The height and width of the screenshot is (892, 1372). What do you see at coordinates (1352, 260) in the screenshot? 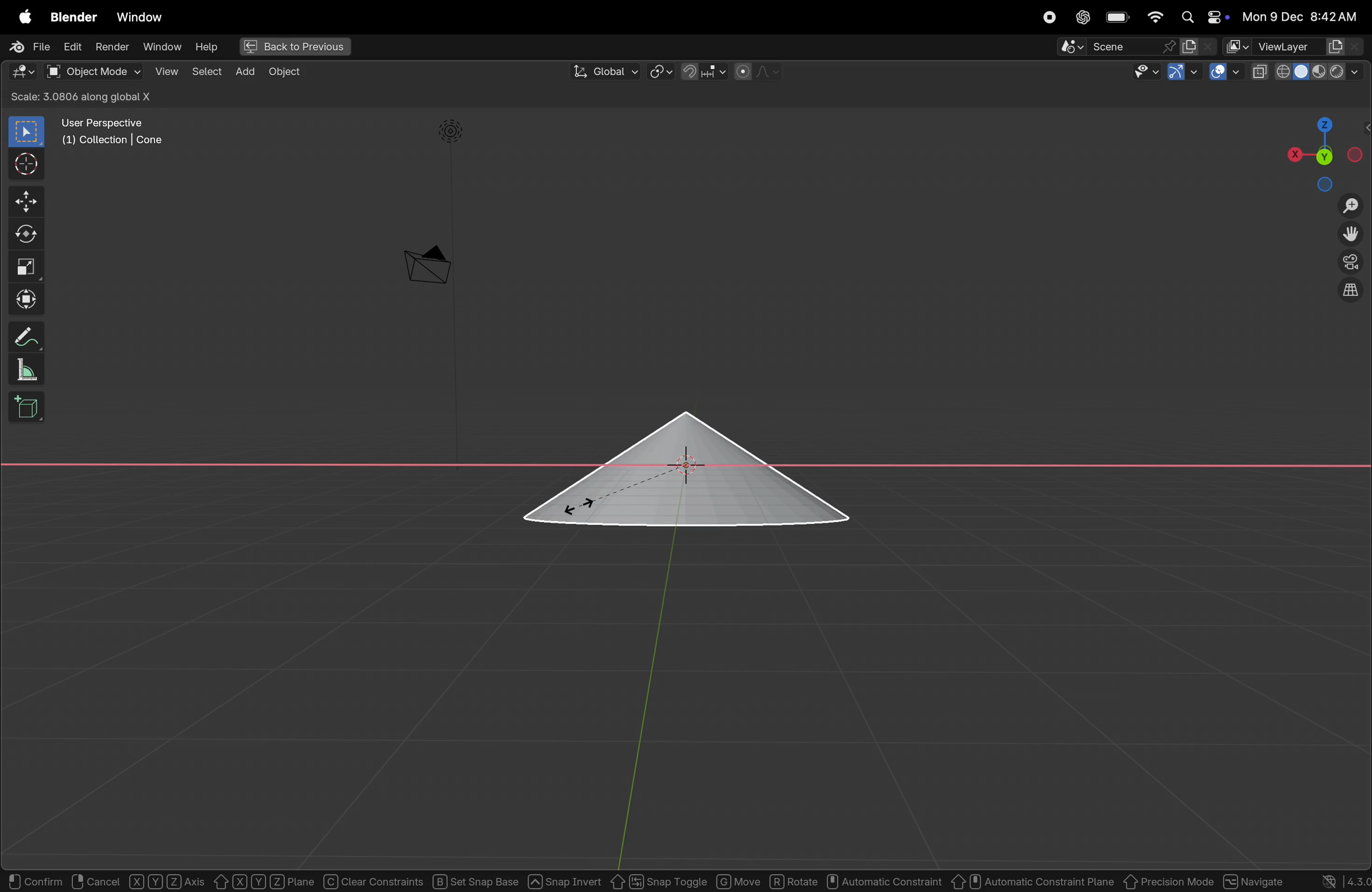
I see `toggle camera view` at bounding box center [1352, 260].